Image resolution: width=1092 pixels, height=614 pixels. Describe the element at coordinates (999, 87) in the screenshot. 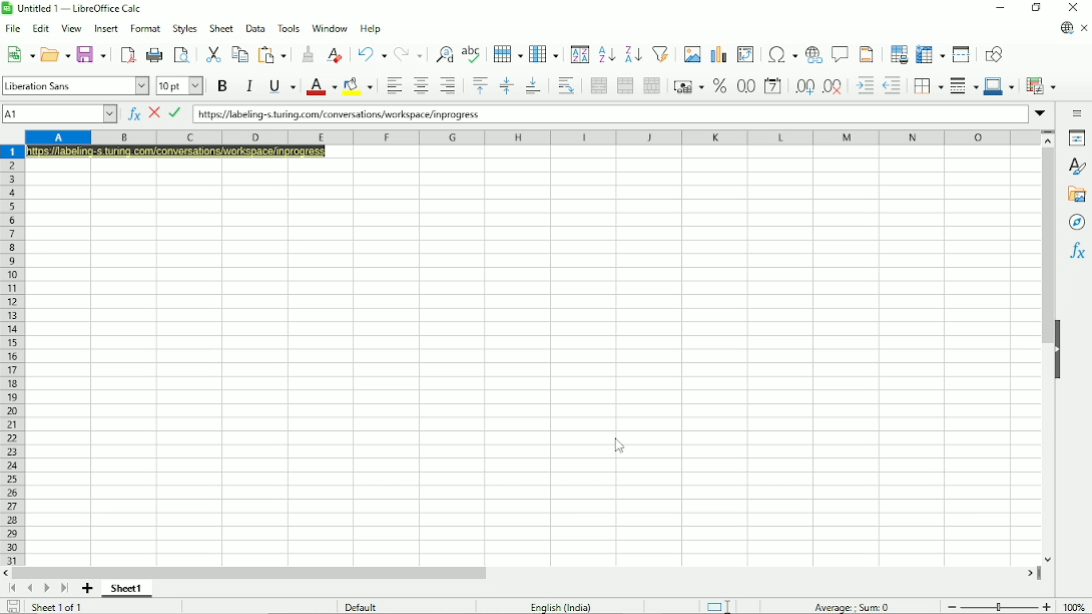

I see `Border color` at that location.